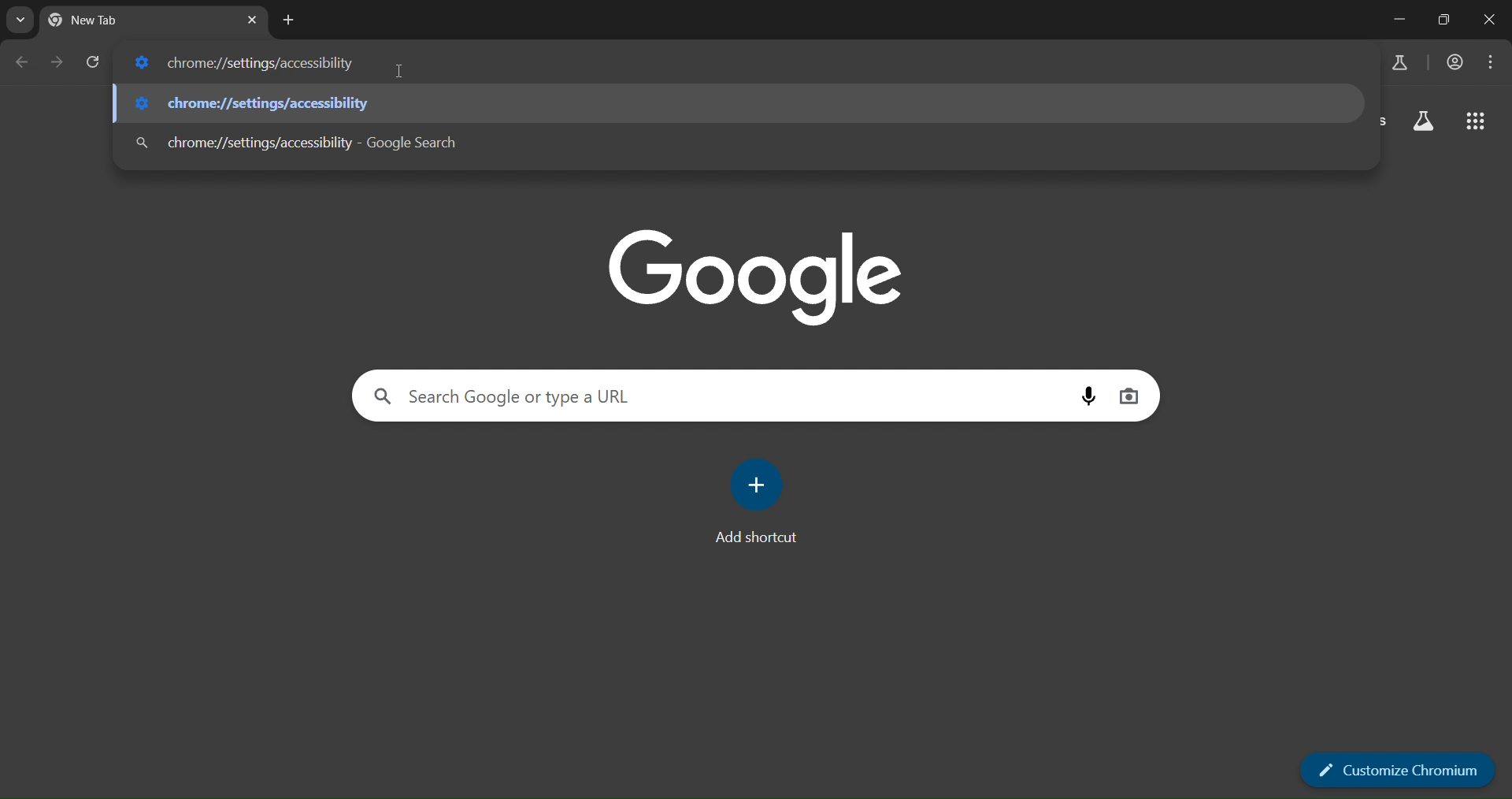  What do you see at coordinates (1395, 771) in the screenshot?
I see `customize chromium` at bounding box center [1395, 771].